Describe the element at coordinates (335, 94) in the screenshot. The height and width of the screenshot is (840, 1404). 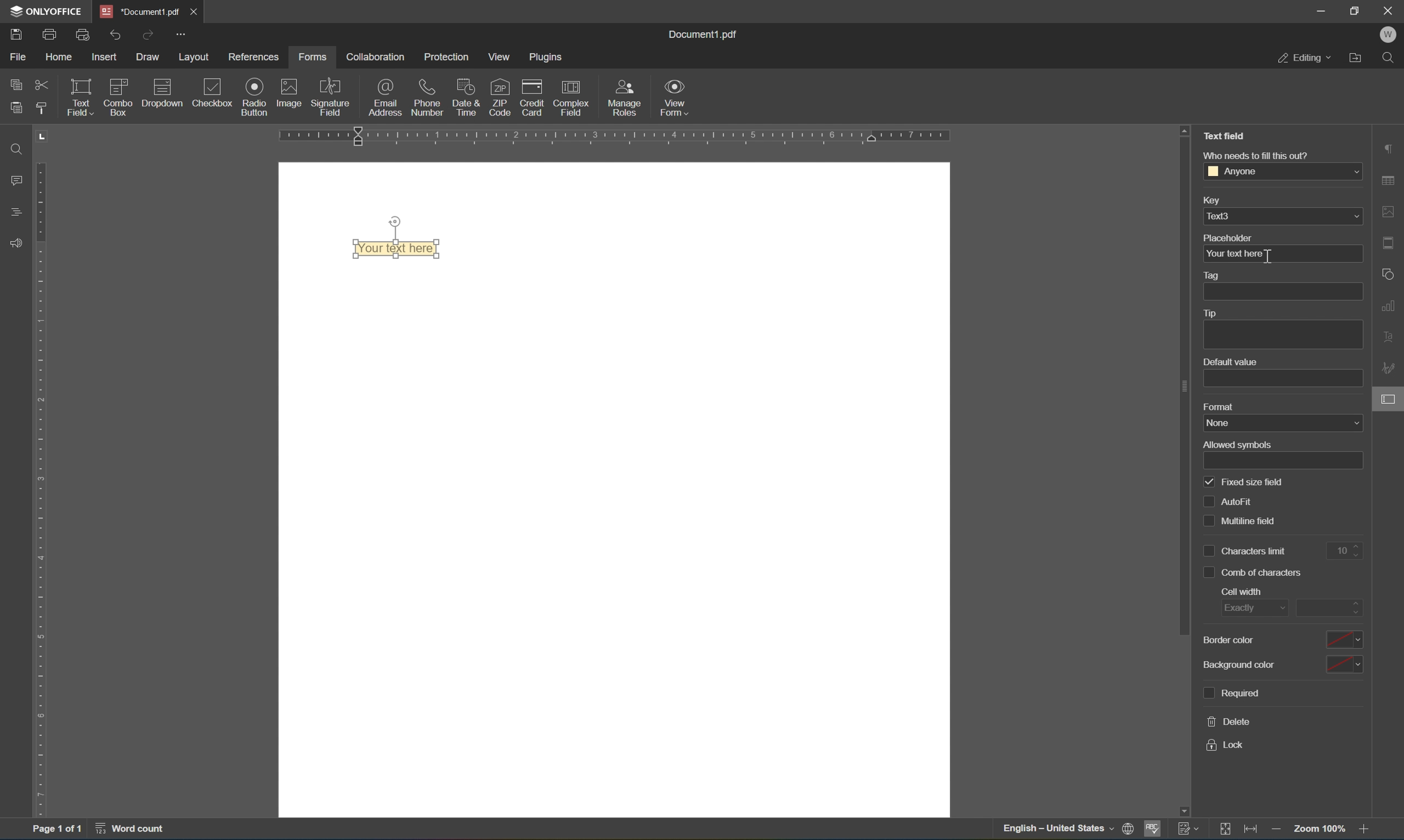
I see `signature field` at that location.